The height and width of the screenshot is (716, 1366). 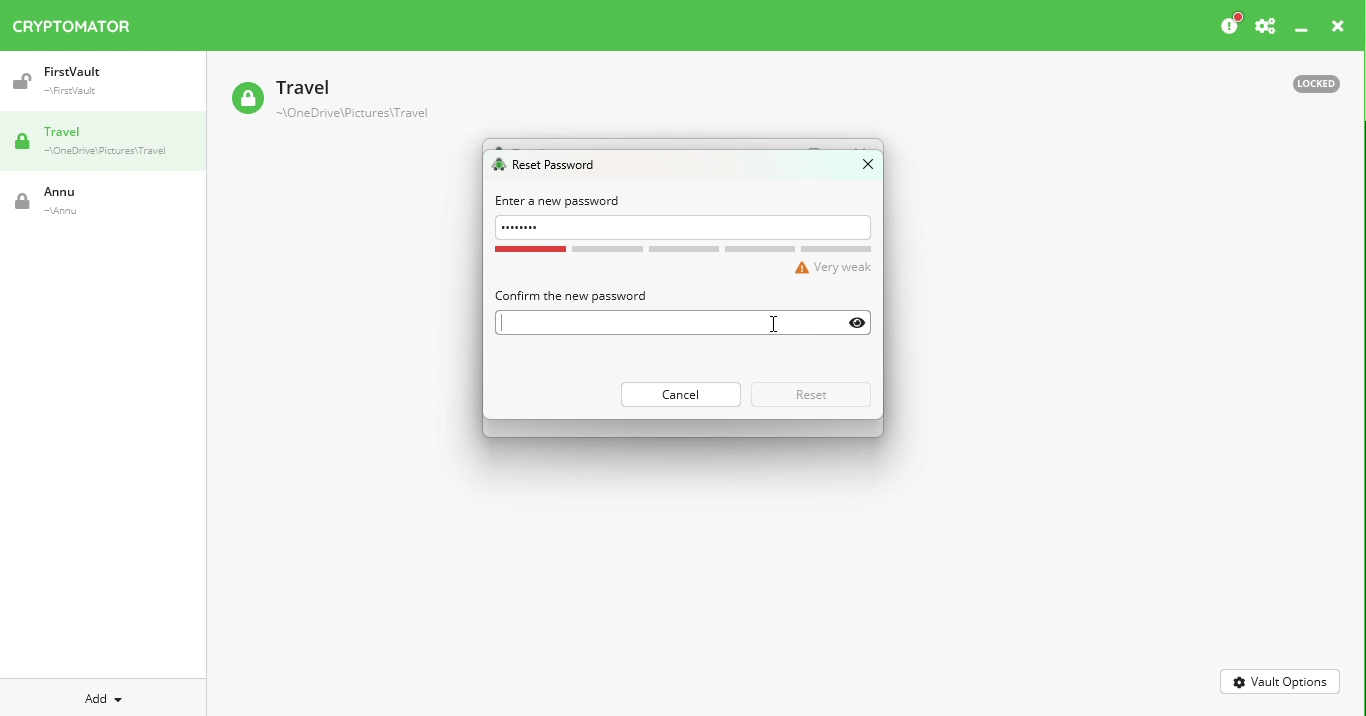 What do you see at coordinates (85, 201) in the screenshot?
I see `Vault` at bounding box center [85, 201].